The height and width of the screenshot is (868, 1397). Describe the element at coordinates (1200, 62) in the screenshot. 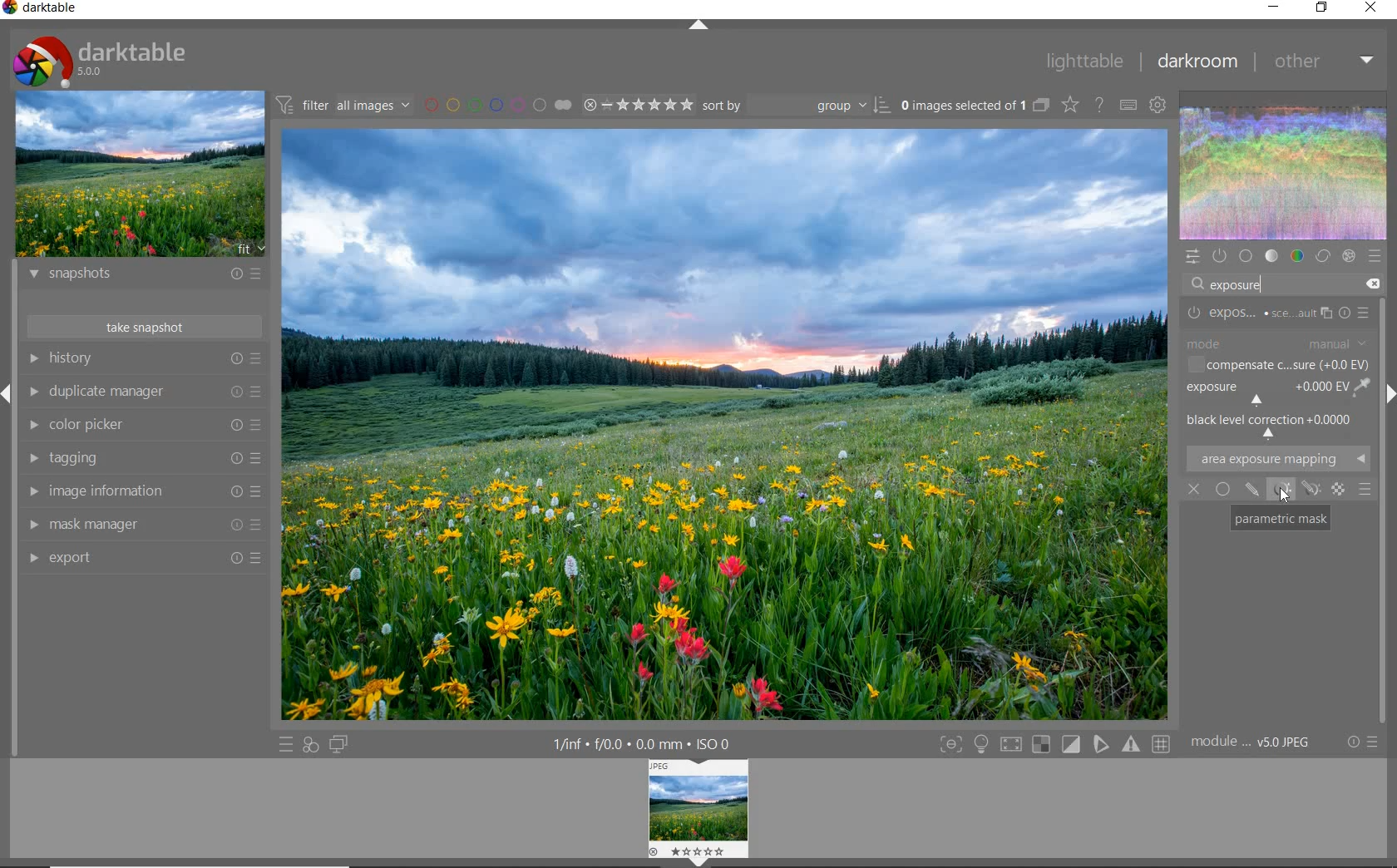

I see `darkroom` at that location.